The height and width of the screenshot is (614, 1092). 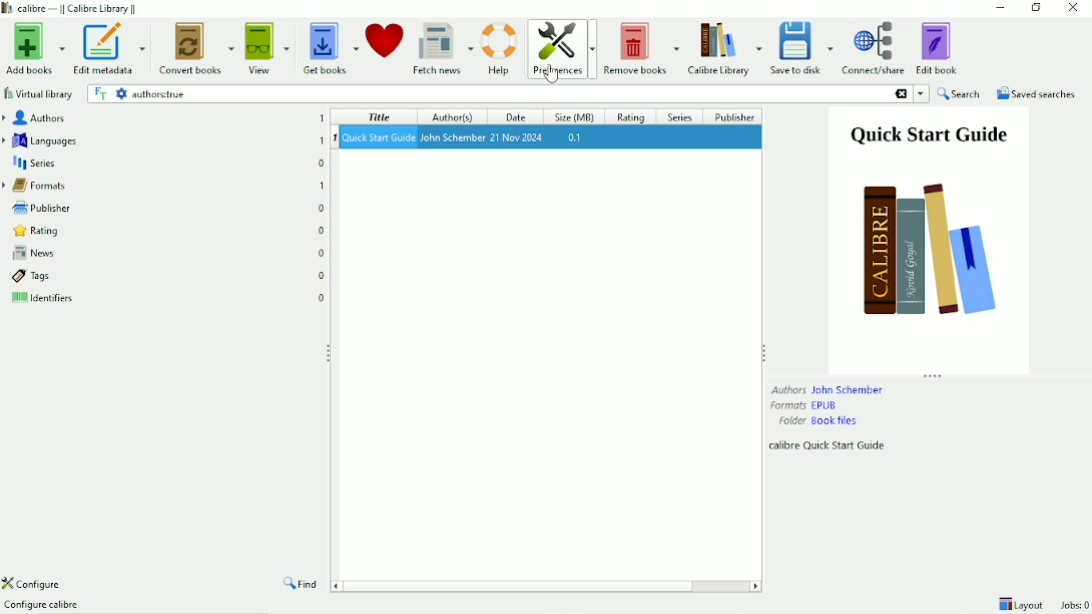 What do you see at coordinates (332, 48) in the screenshot?
I see `Get books` at bounding box center [332, 48].